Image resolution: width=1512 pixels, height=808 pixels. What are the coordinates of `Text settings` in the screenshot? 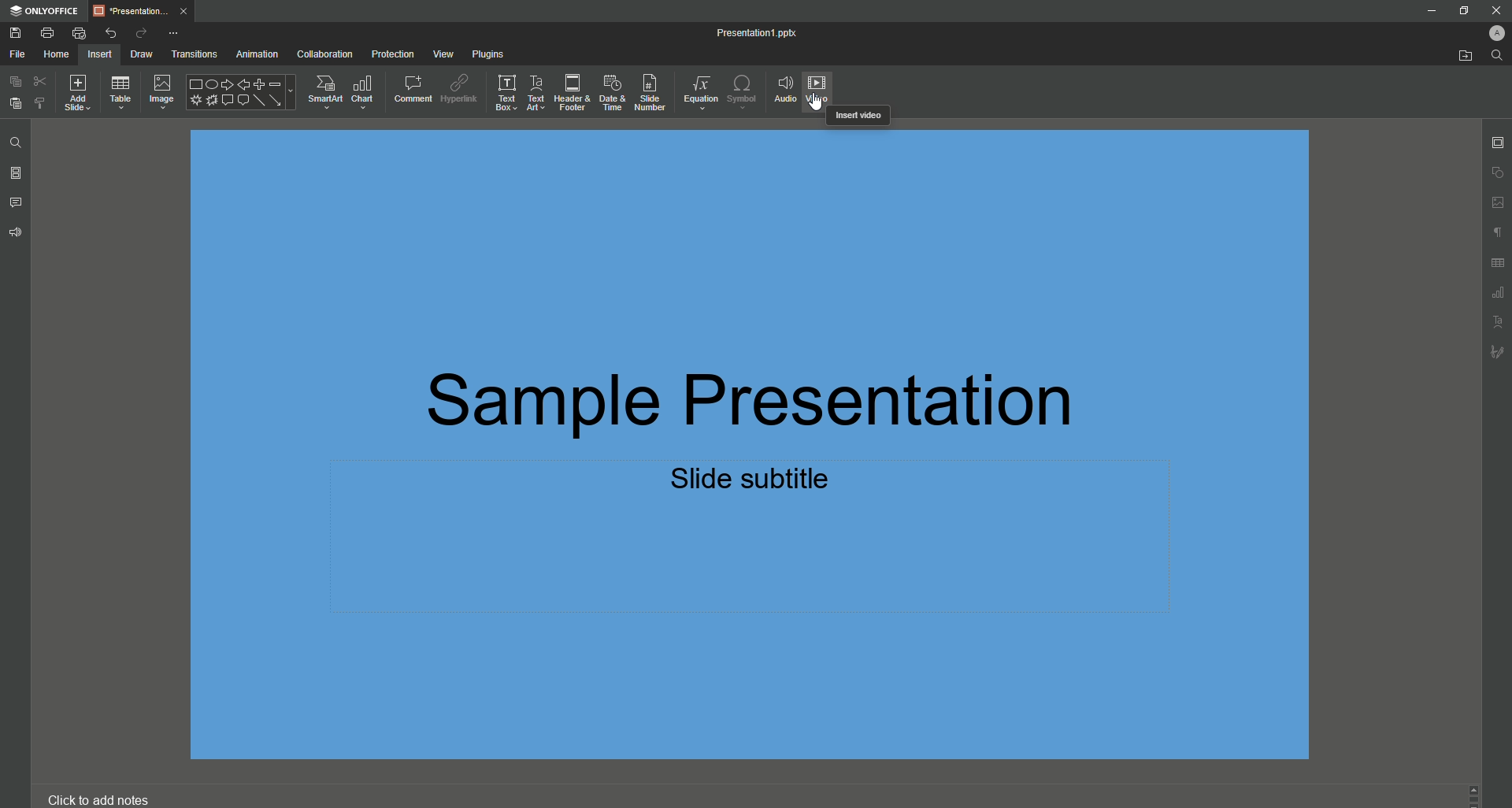 It's located at (1499, 321).